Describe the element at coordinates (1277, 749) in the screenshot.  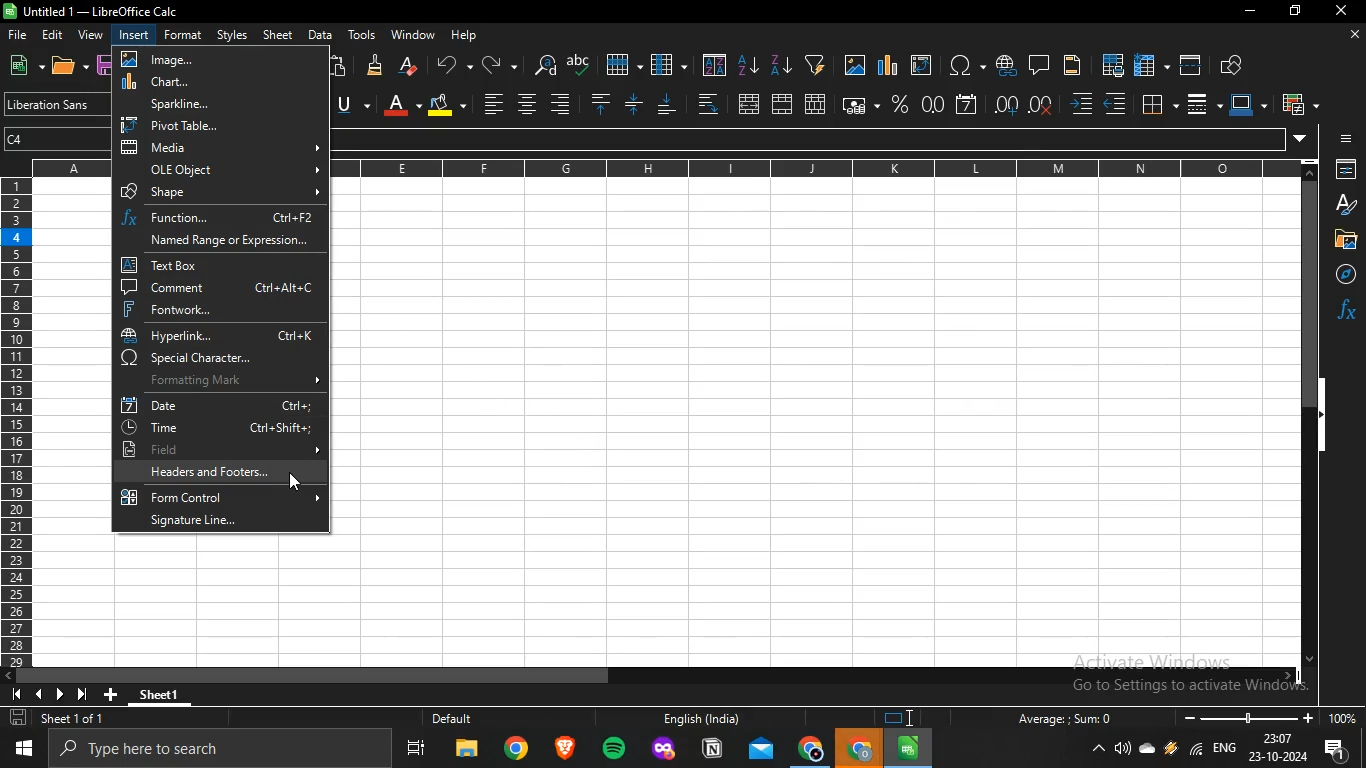
I see `date and time` at that location.